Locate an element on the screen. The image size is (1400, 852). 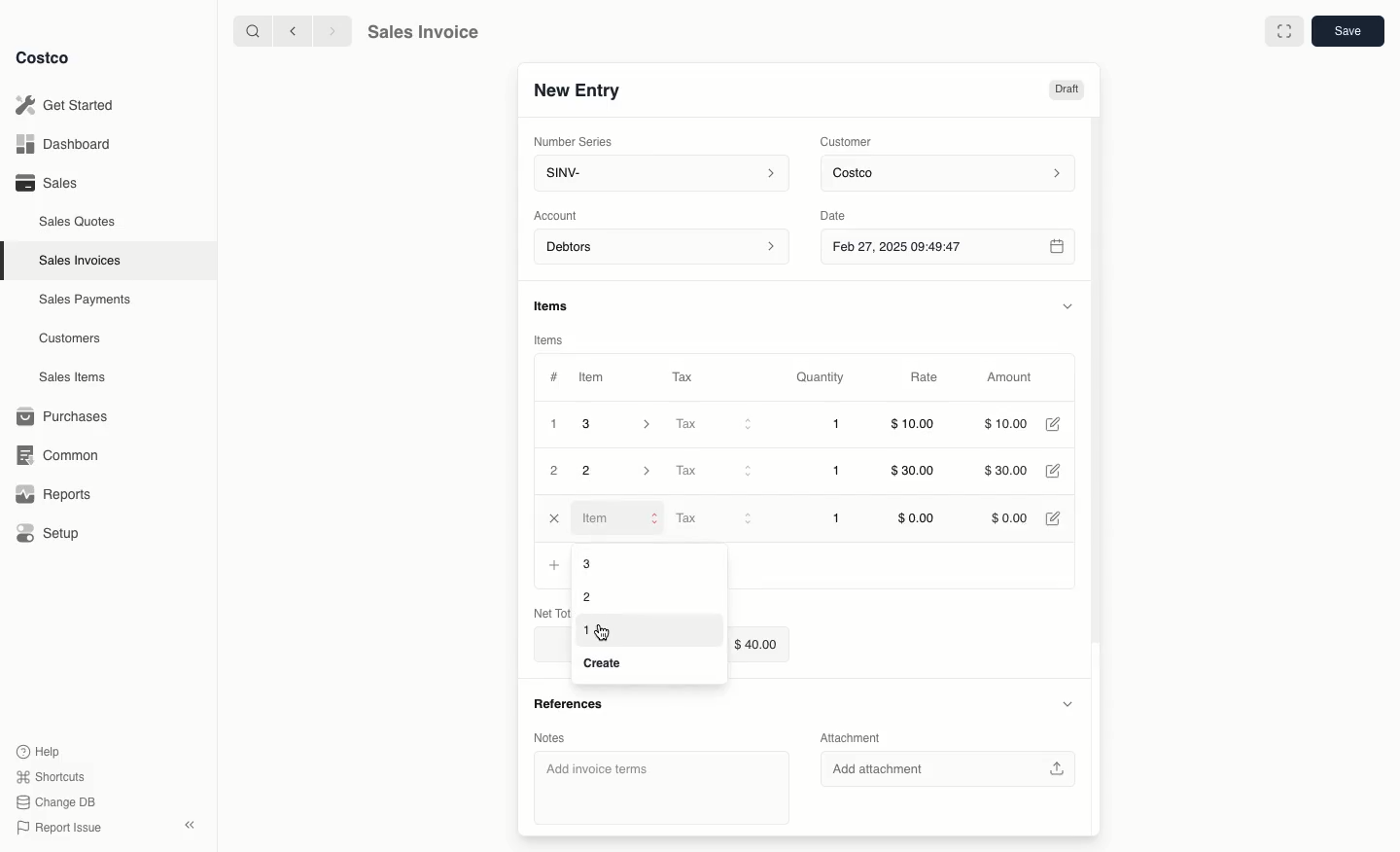
1 is located at coordinates (554, 424).